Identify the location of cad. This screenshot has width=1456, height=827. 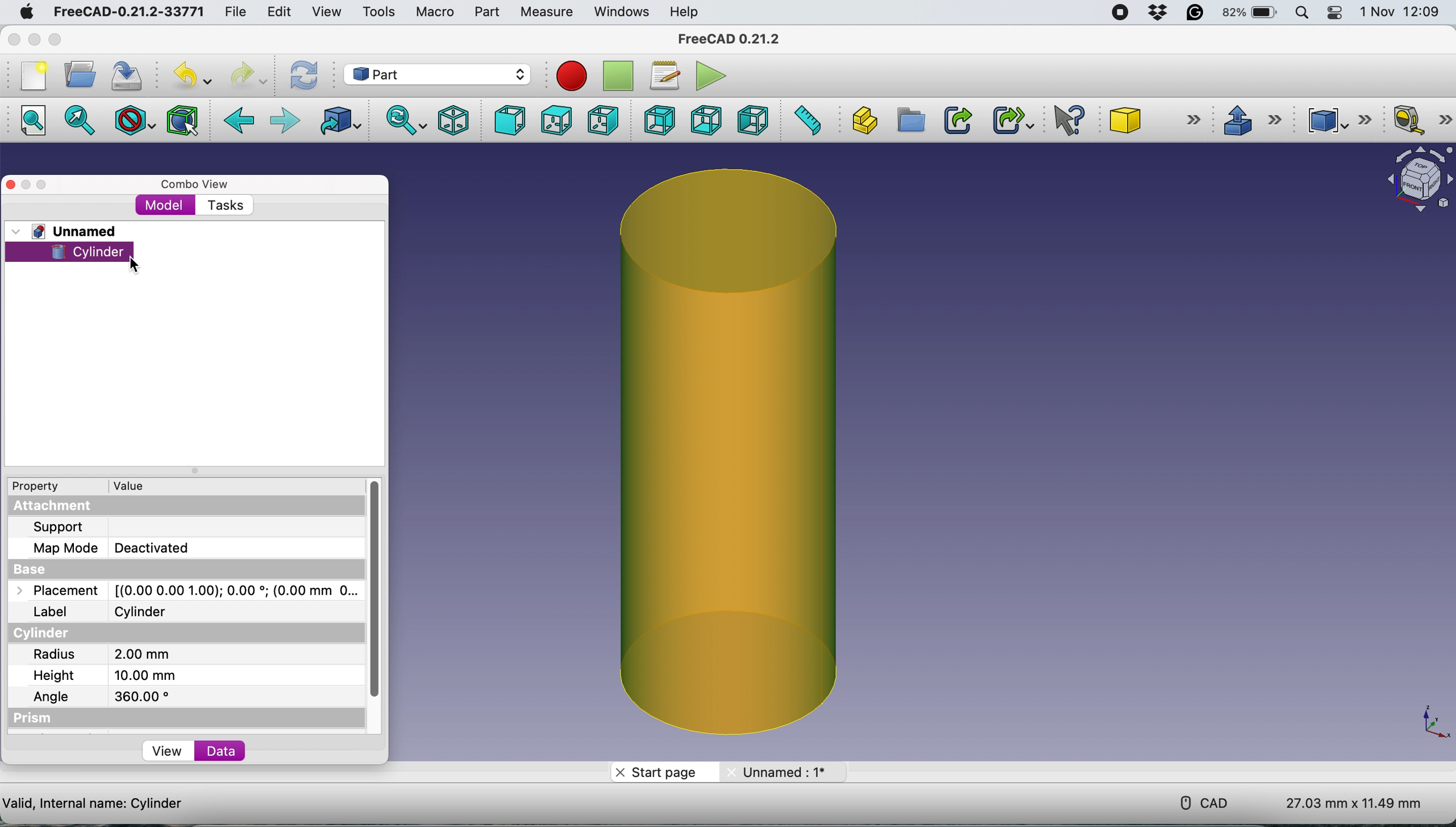
(1204, 801).